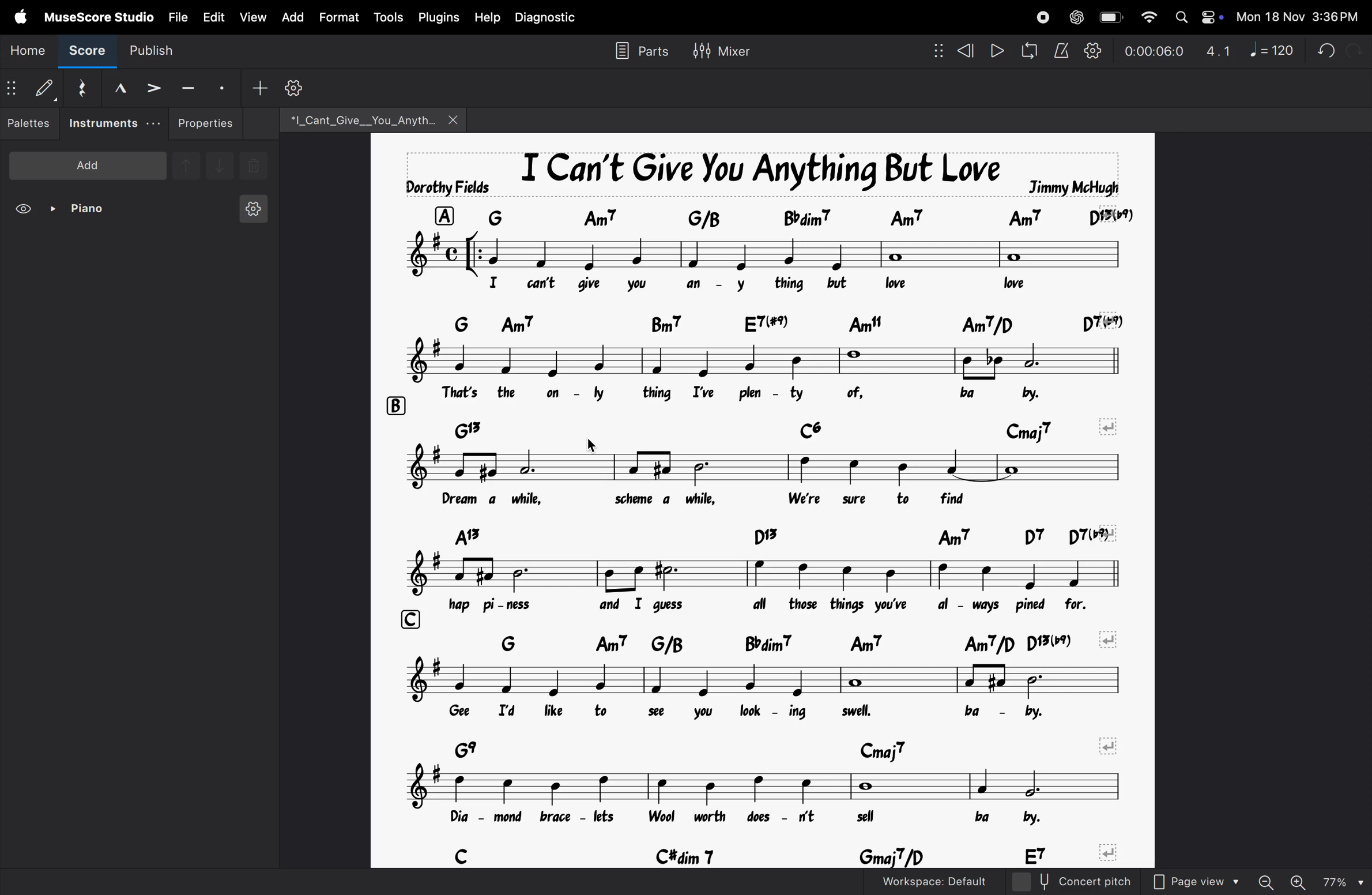  I want to click on view, so click(252, 17).